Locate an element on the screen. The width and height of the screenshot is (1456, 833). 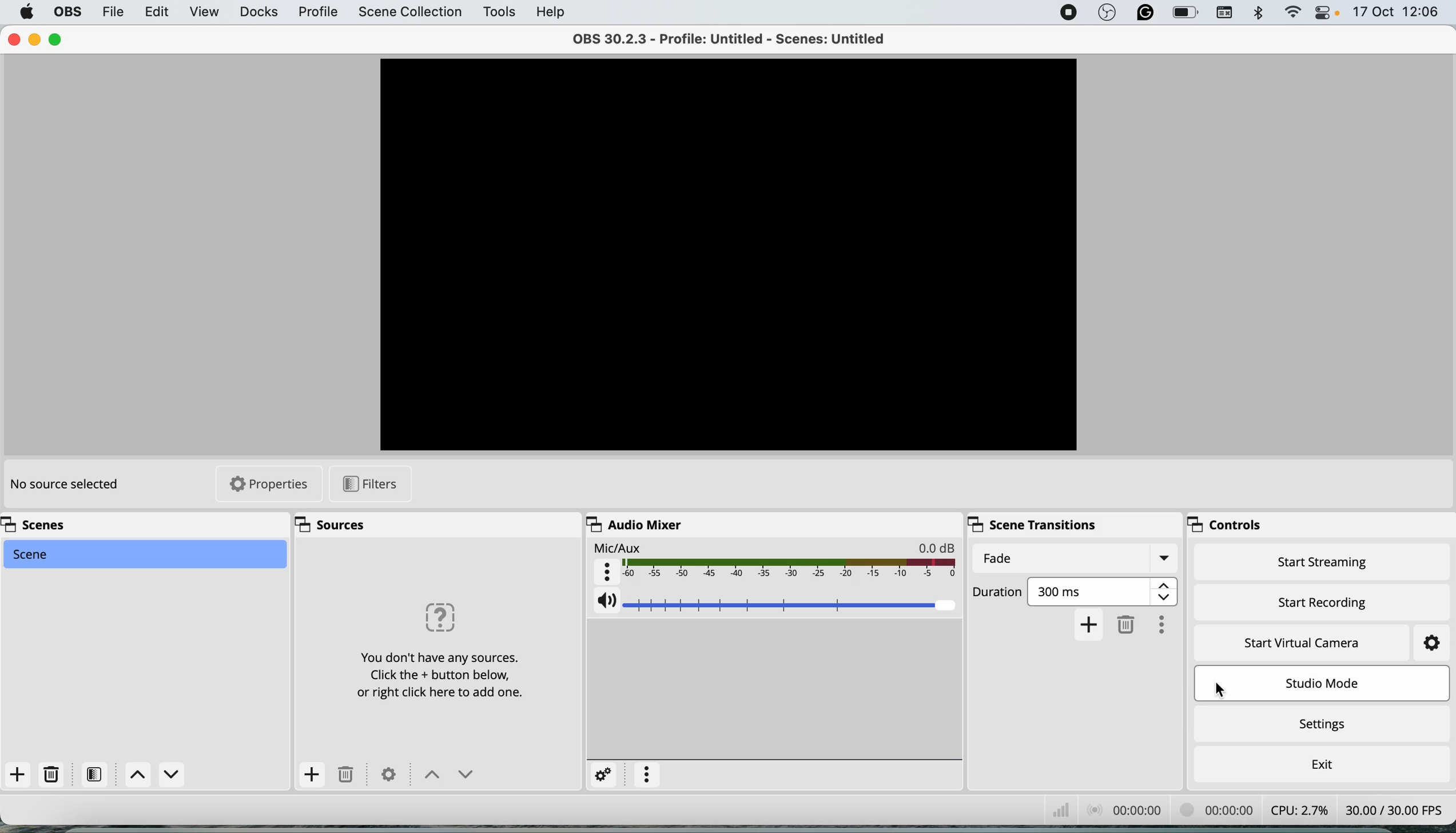
no source selected is located at coordinates (72, 489).